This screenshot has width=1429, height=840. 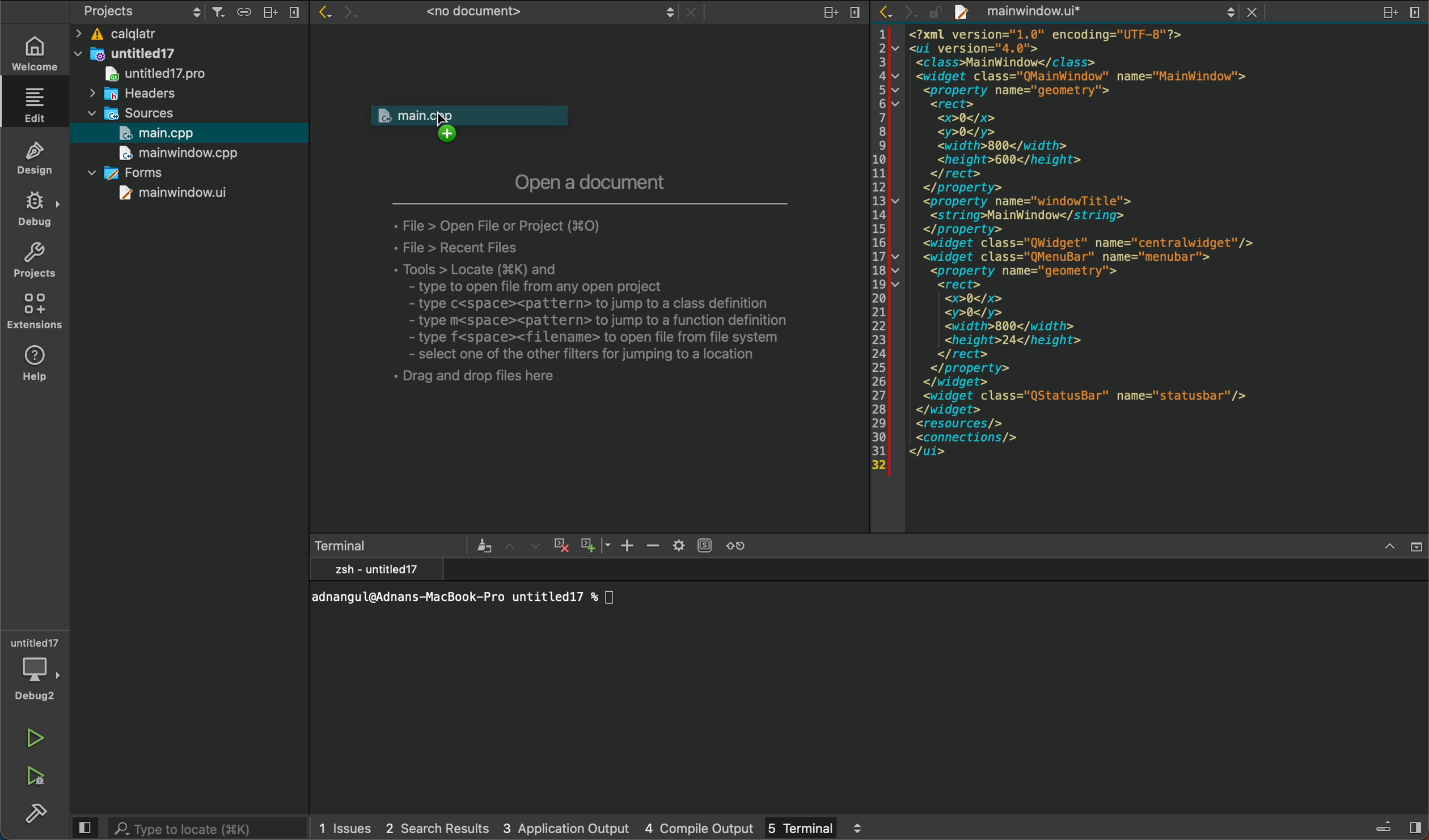 What do you see at coordinates (34, 812) in the screenshot?
I see `build` at bounding box center [34, 812].